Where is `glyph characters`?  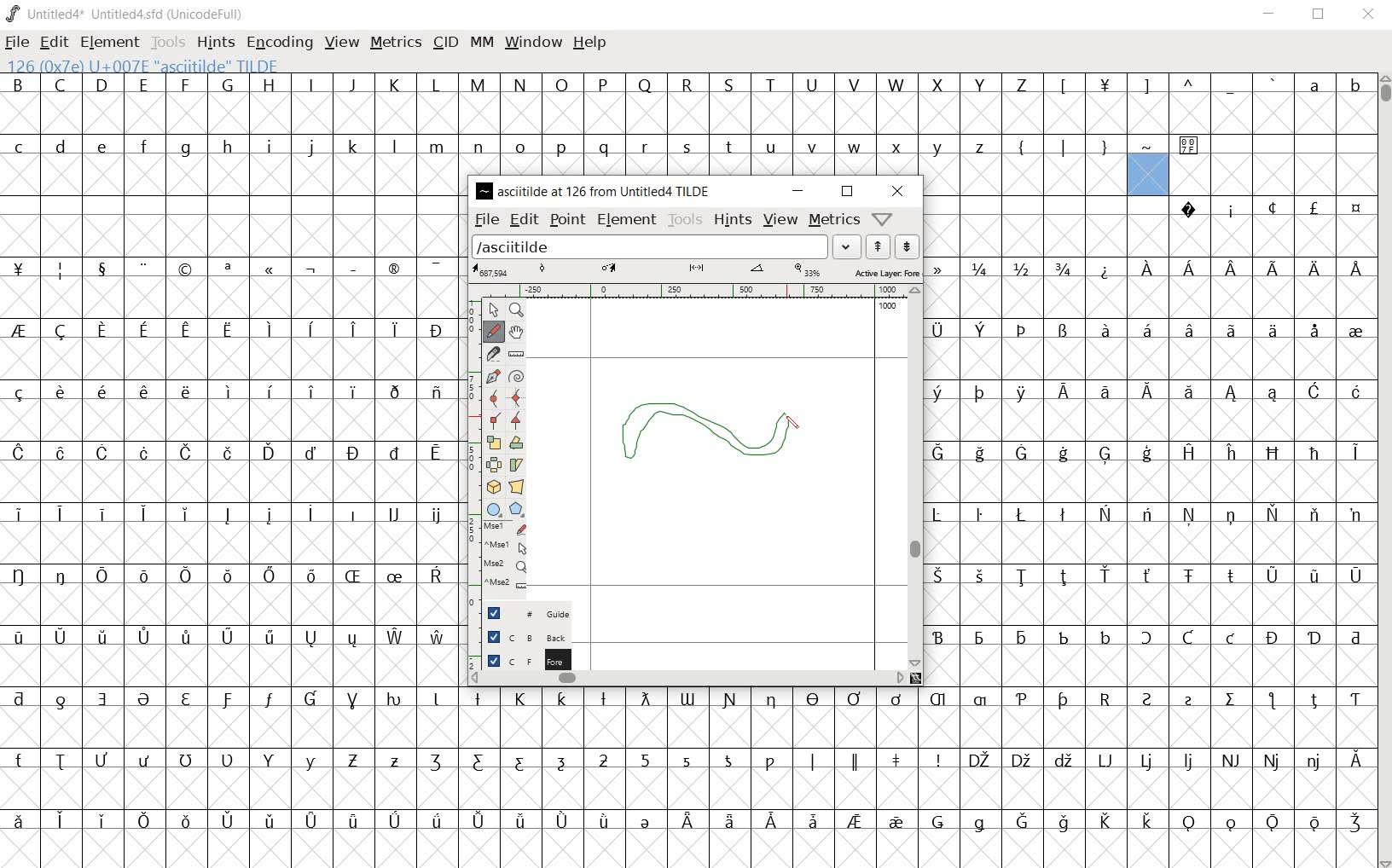
glyph characters is located at coordinates (918, 777).